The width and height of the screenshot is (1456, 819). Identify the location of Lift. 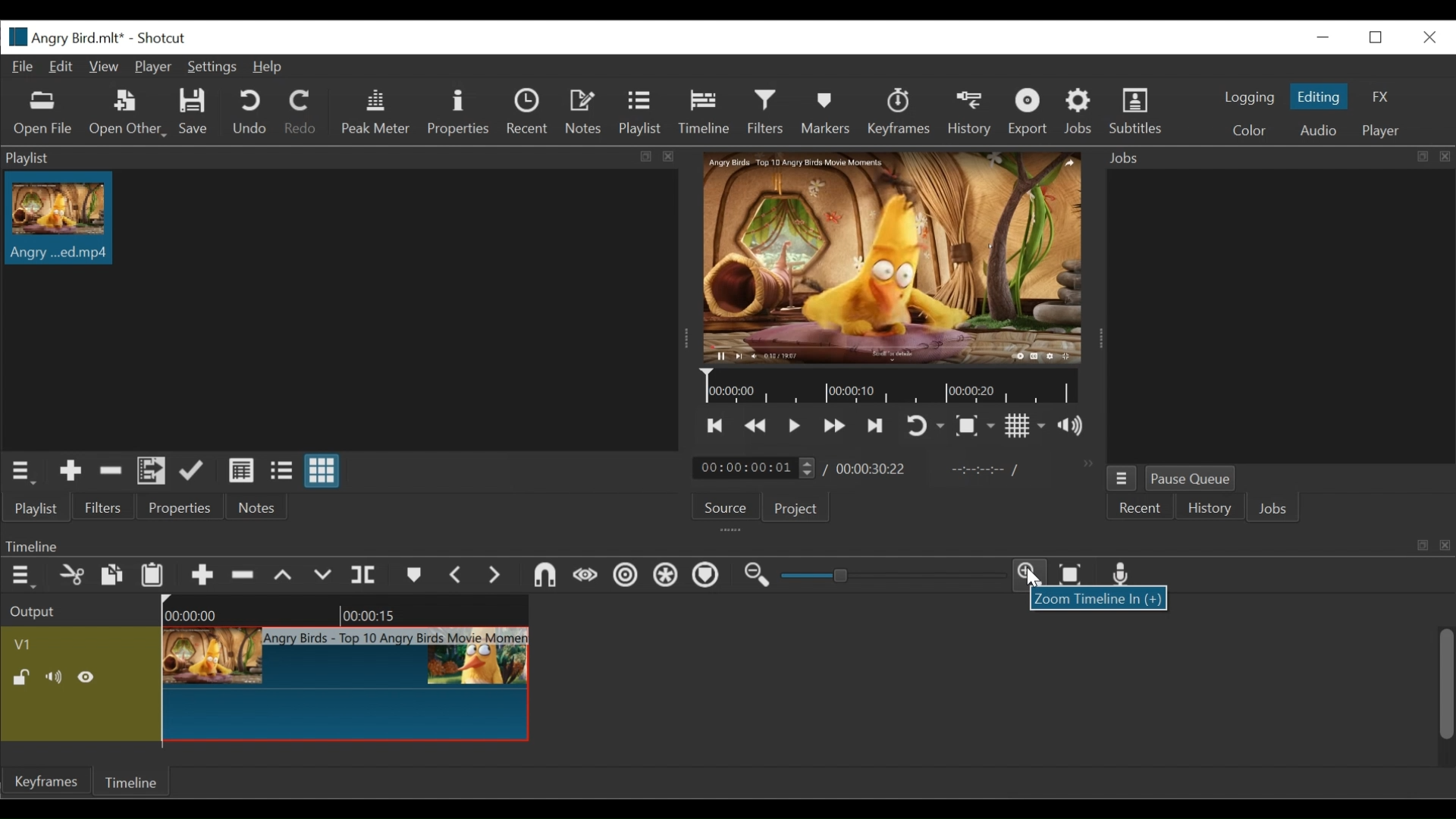
(283, 576).